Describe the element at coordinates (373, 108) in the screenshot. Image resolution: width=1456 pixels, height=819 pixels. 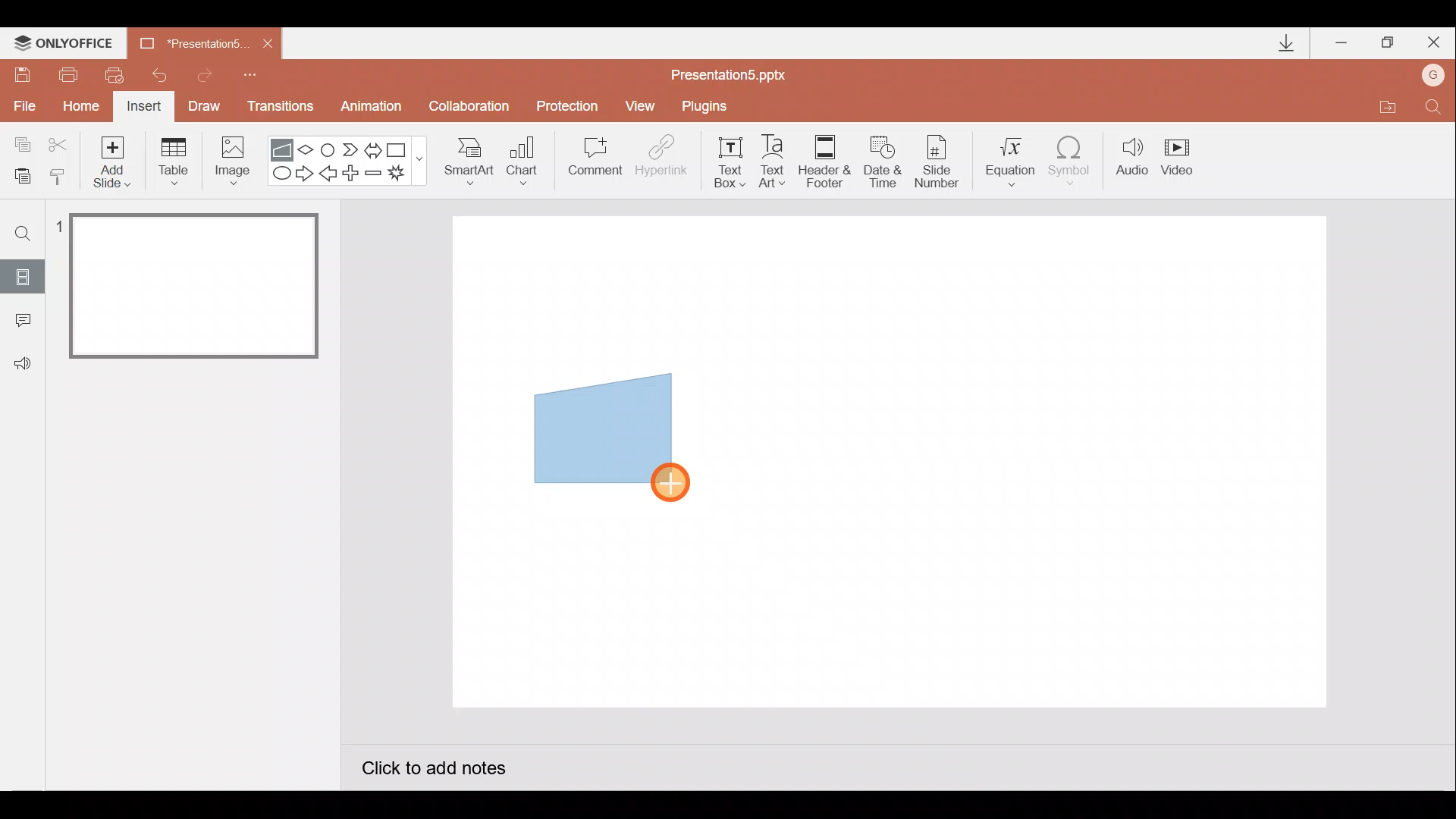
I see `Animation` at that location.